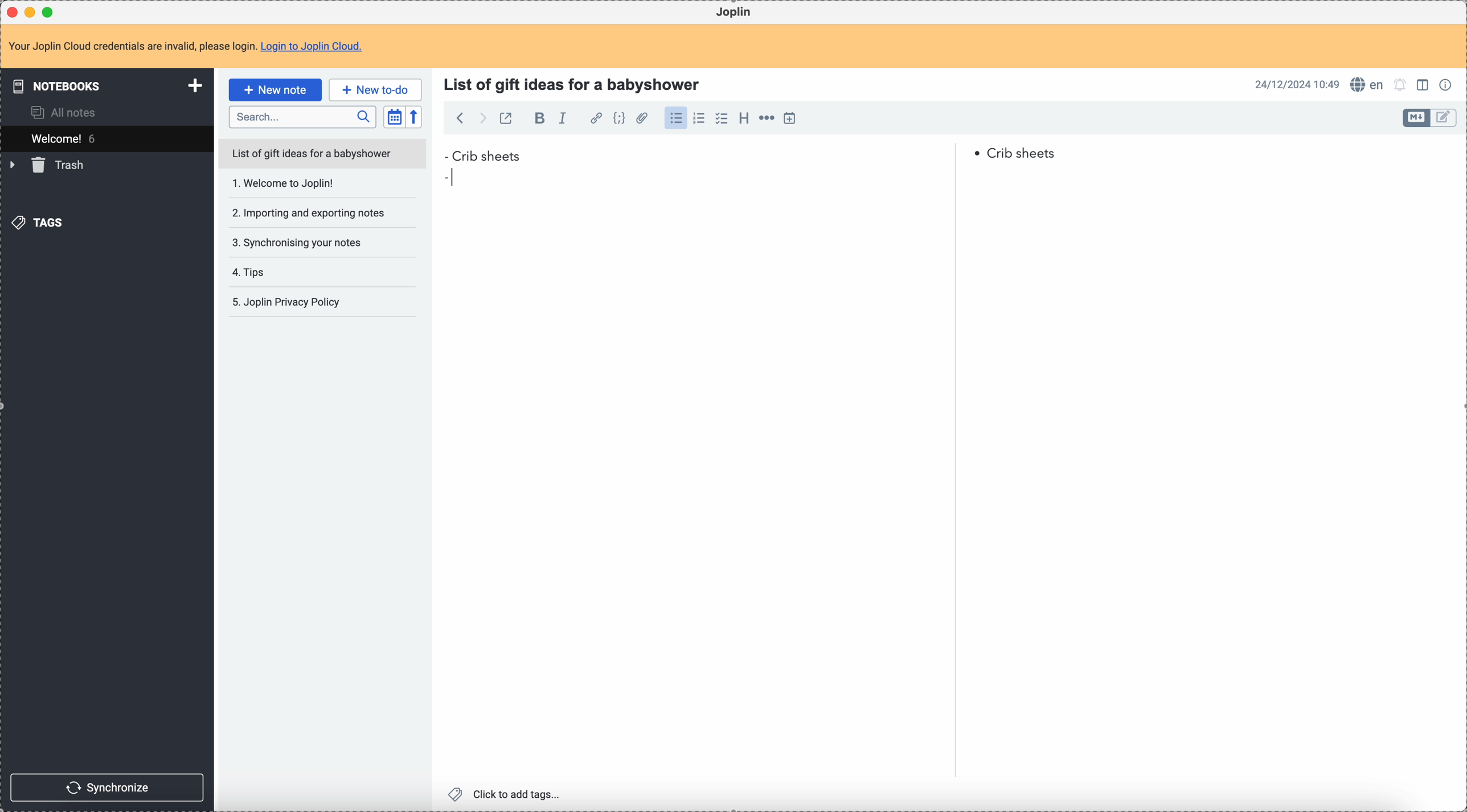  What do you see at coordinates (11, 12) in the screenshot?
I see `close Joplin` at bounding box center [11, 12].